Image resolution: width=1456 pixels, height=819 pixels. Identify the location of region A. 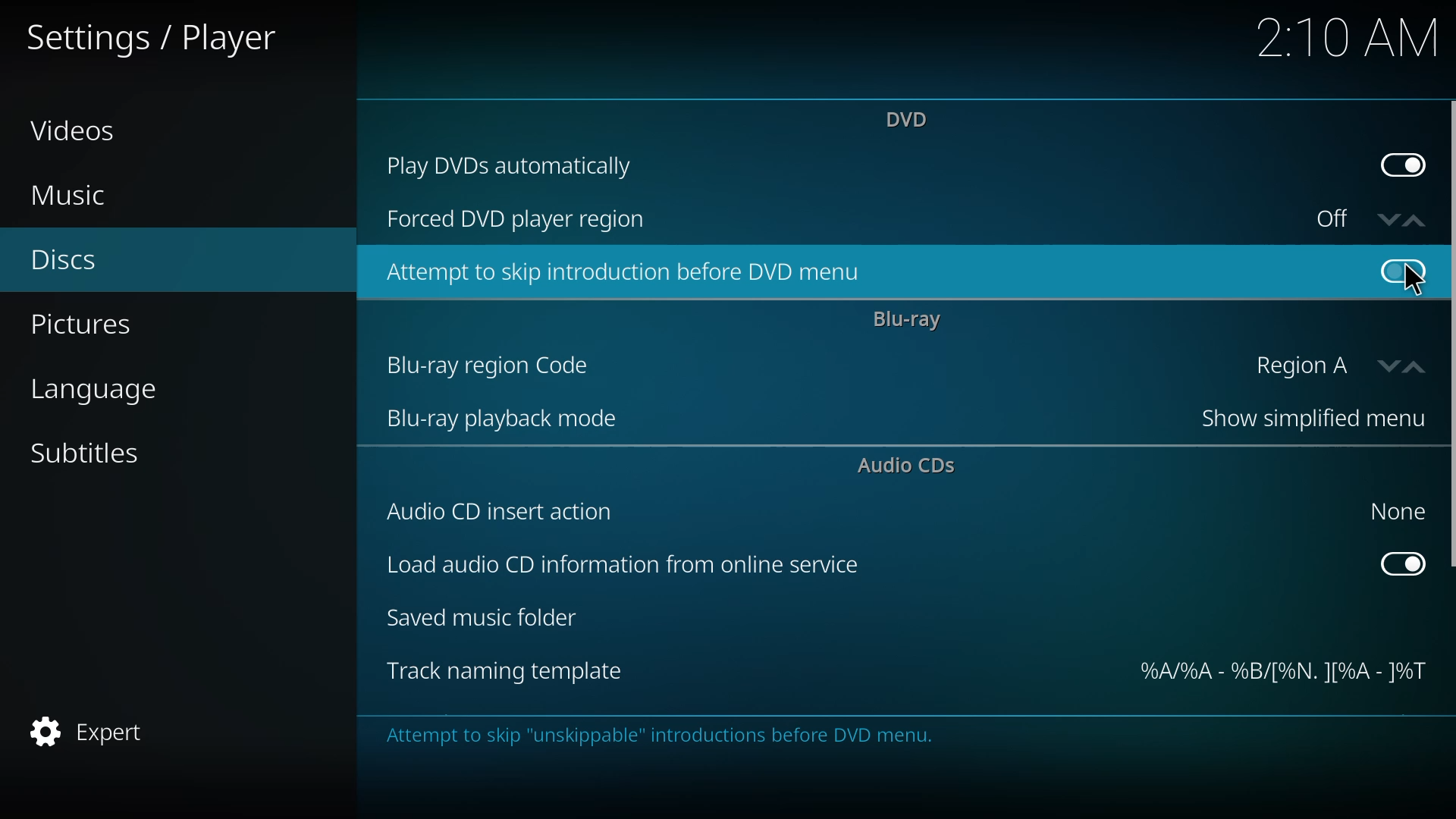
(1327, 362).